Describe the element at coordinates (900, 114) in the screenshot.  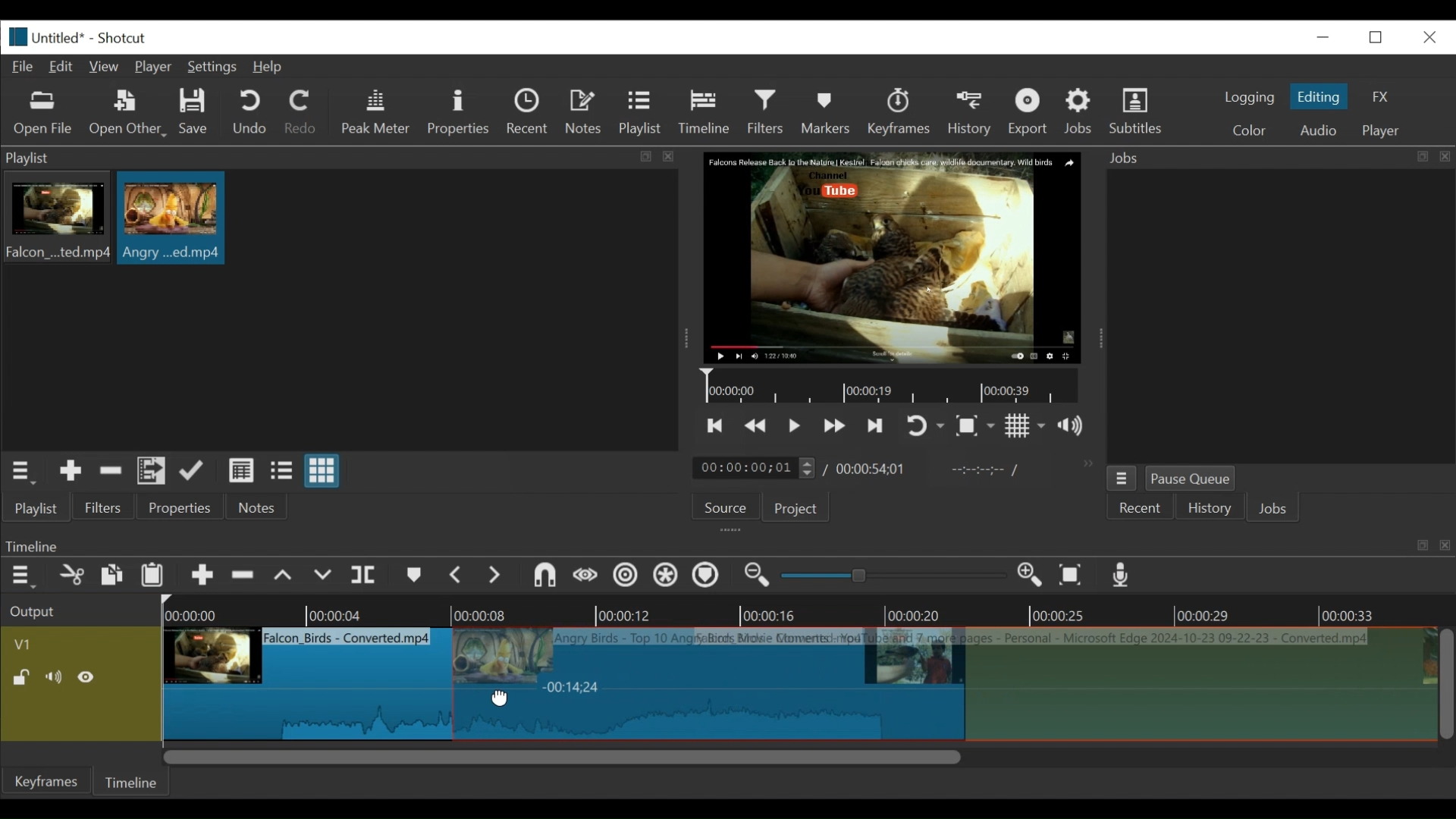
I see `keyframes` at that location.